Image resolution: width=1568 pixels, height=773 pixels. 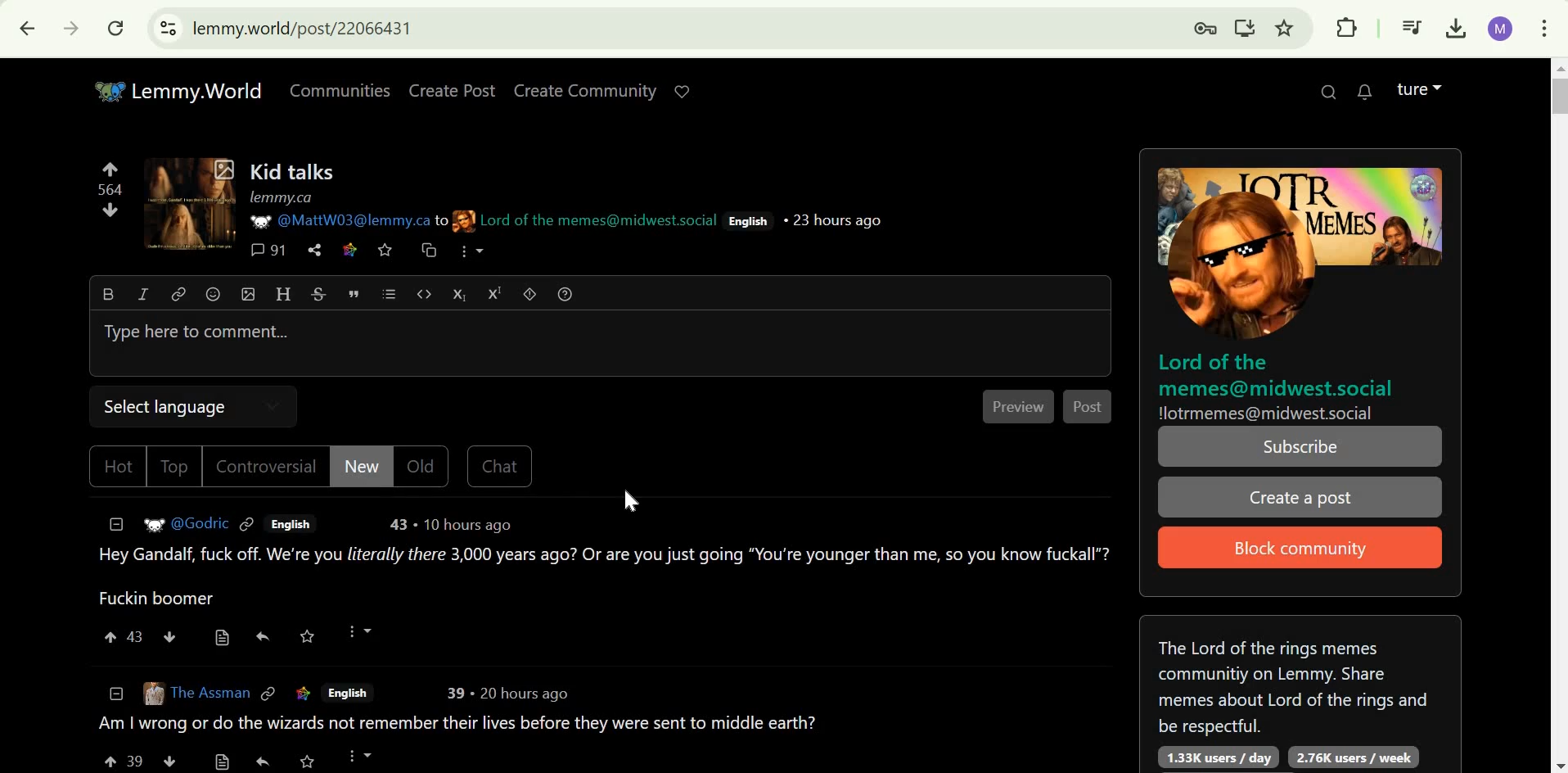 What do you see at coordinates (223, 638) in the screenshot?
I see `view source` at bounding box center [223, 638].